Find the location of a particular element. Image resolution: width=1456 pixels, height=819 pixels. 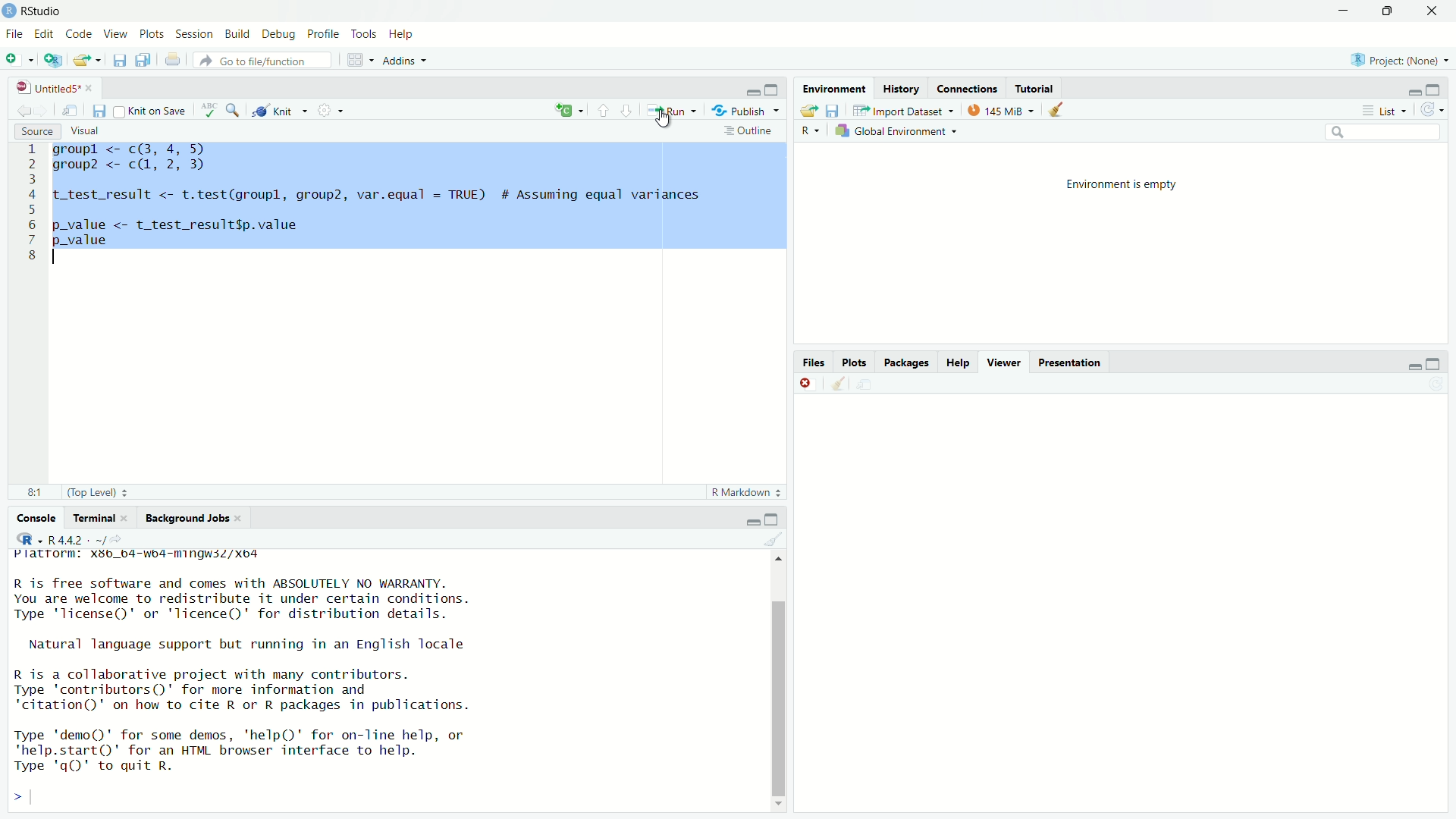

re-run previous code is located at coordinates (568, 111).